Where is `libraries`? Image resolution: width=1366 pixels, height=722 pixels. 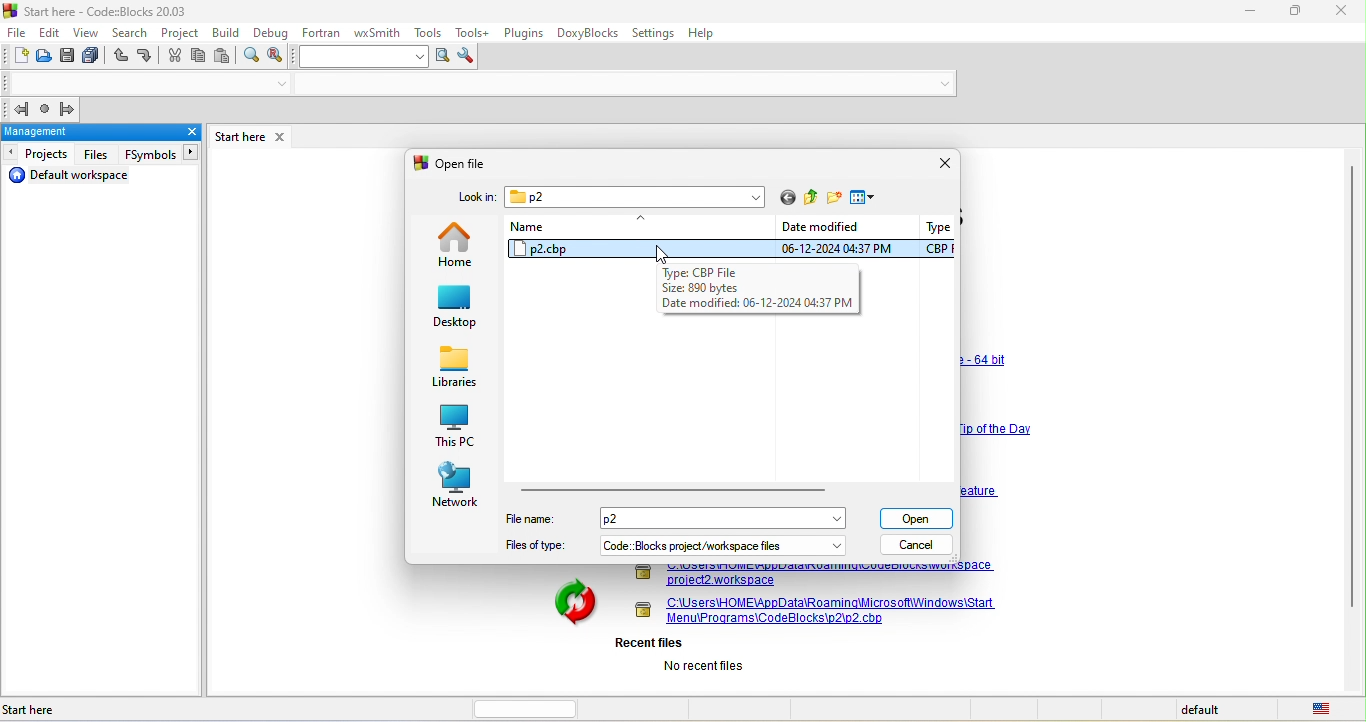
libraries is located at coordinates (458, 369).